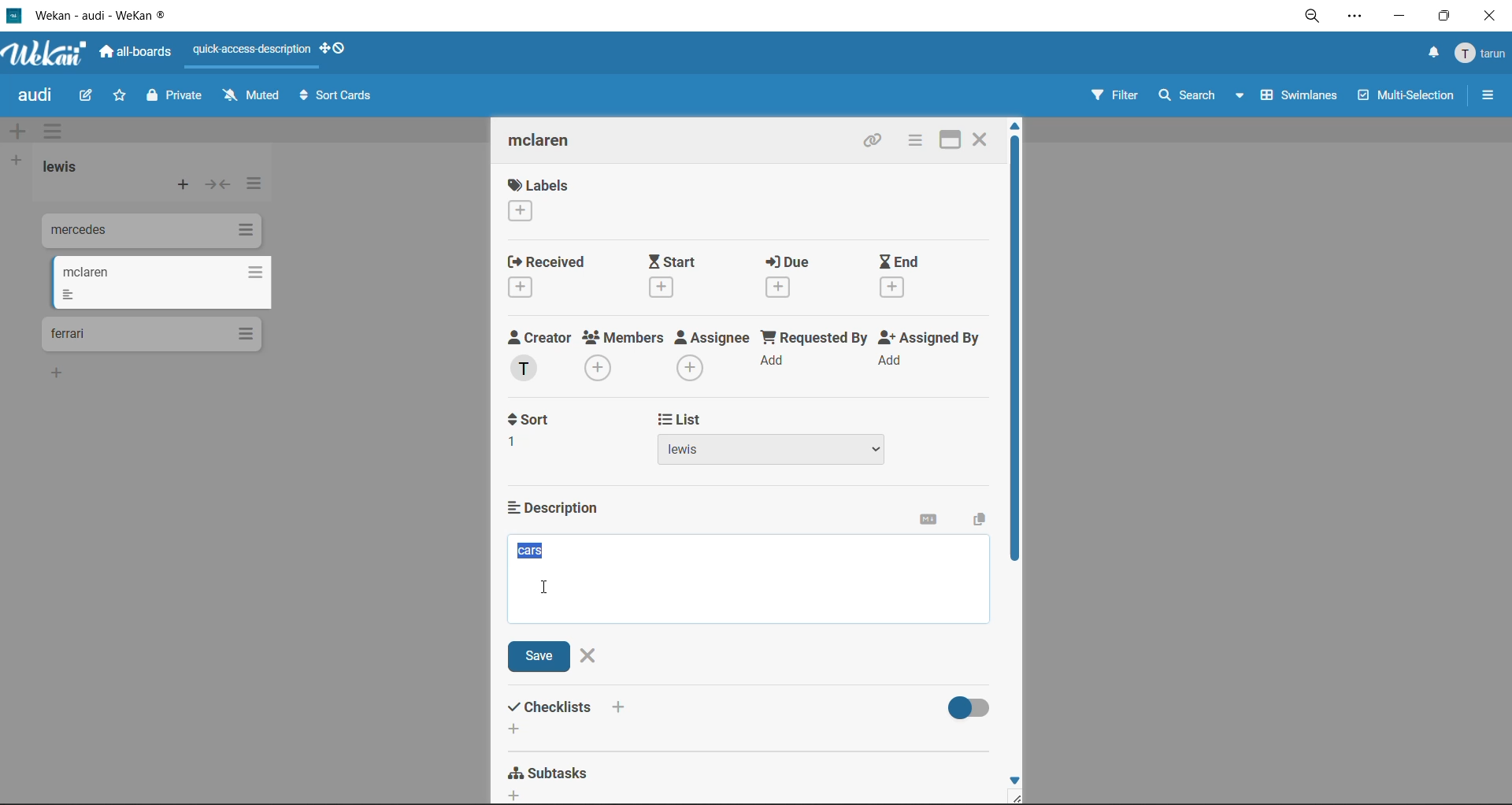 The width and height of the screenshot is (1512, 805). What do you see at coordinates (1294, 99) in the screenshot?
I see `swimlanes` at bounding box center [1294, 99].